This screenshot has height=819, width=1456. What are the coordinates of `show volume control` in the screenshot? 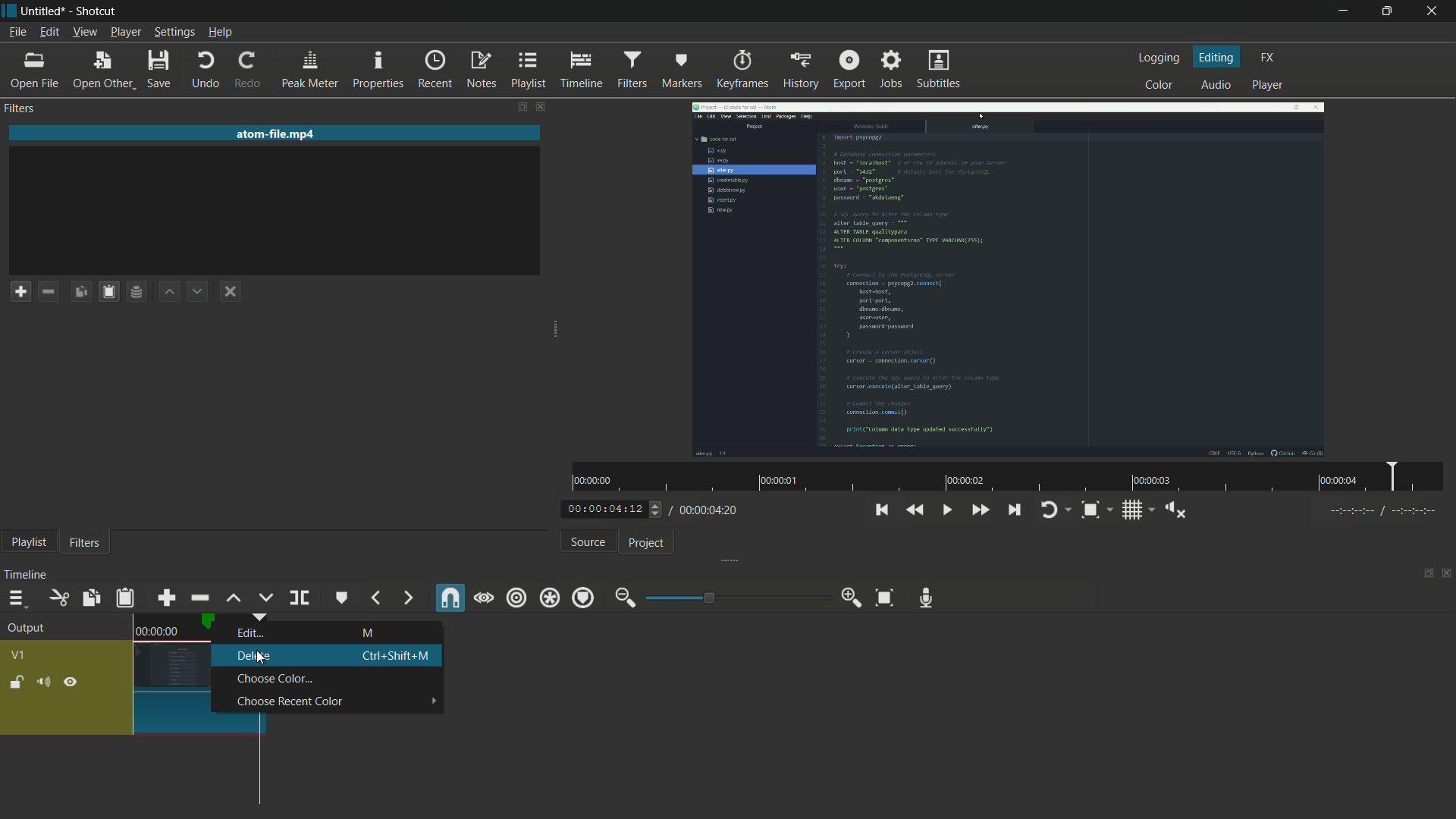 It's located at (1176, 510).